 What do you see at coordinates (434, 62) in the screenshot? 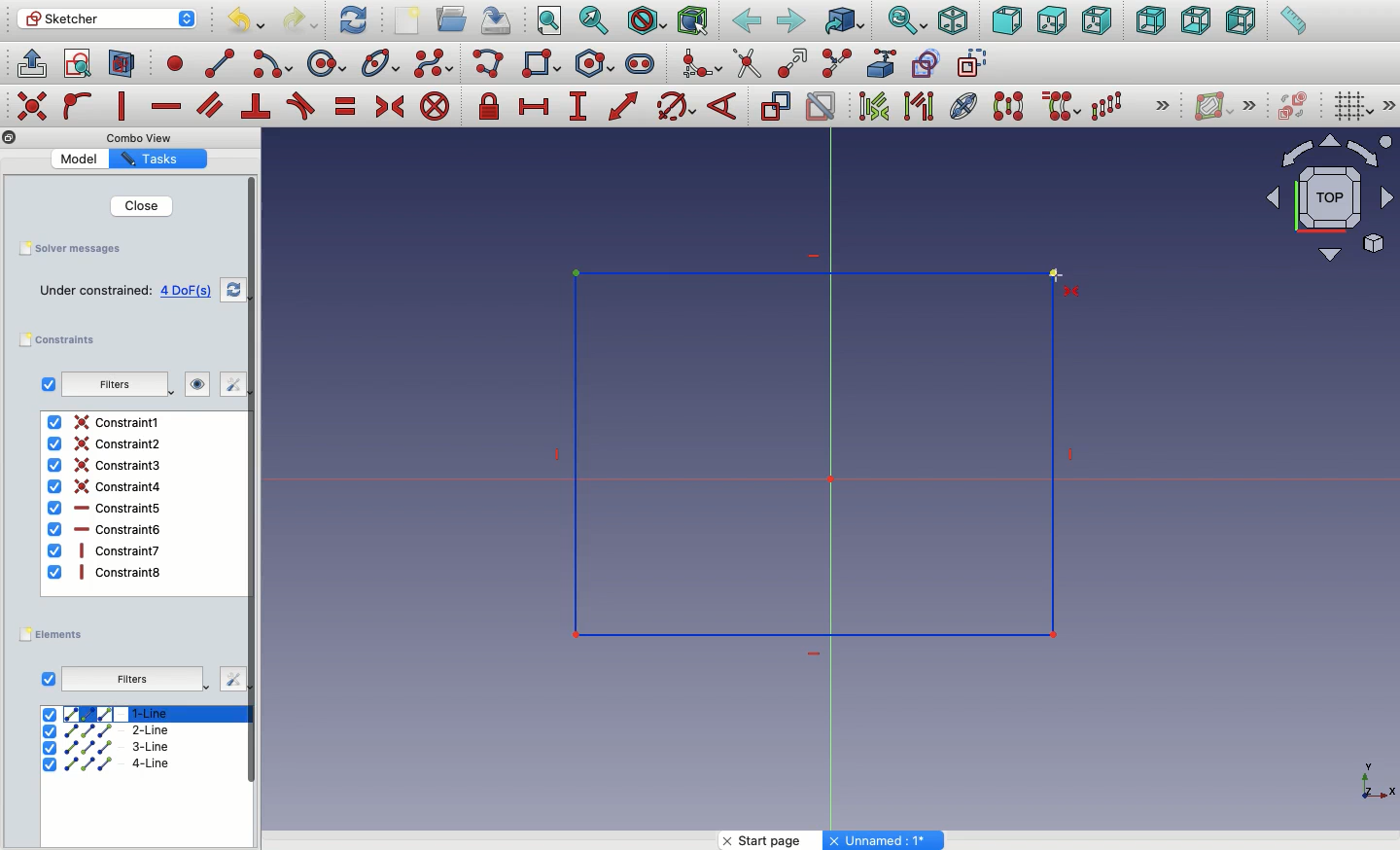
I see `Create B-spline` at bounding box center [434, 62].